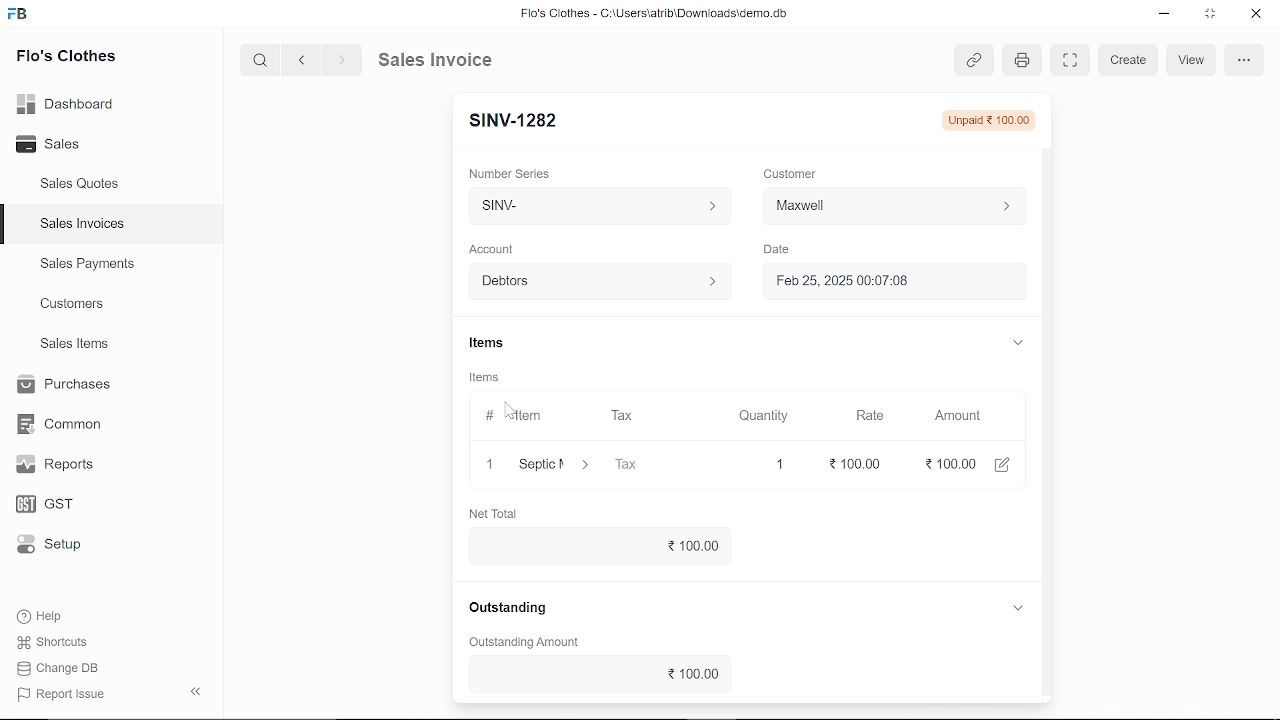  Describe the element at coordinates (596, 281) in the screenshot. I see `Debtors` at that location.